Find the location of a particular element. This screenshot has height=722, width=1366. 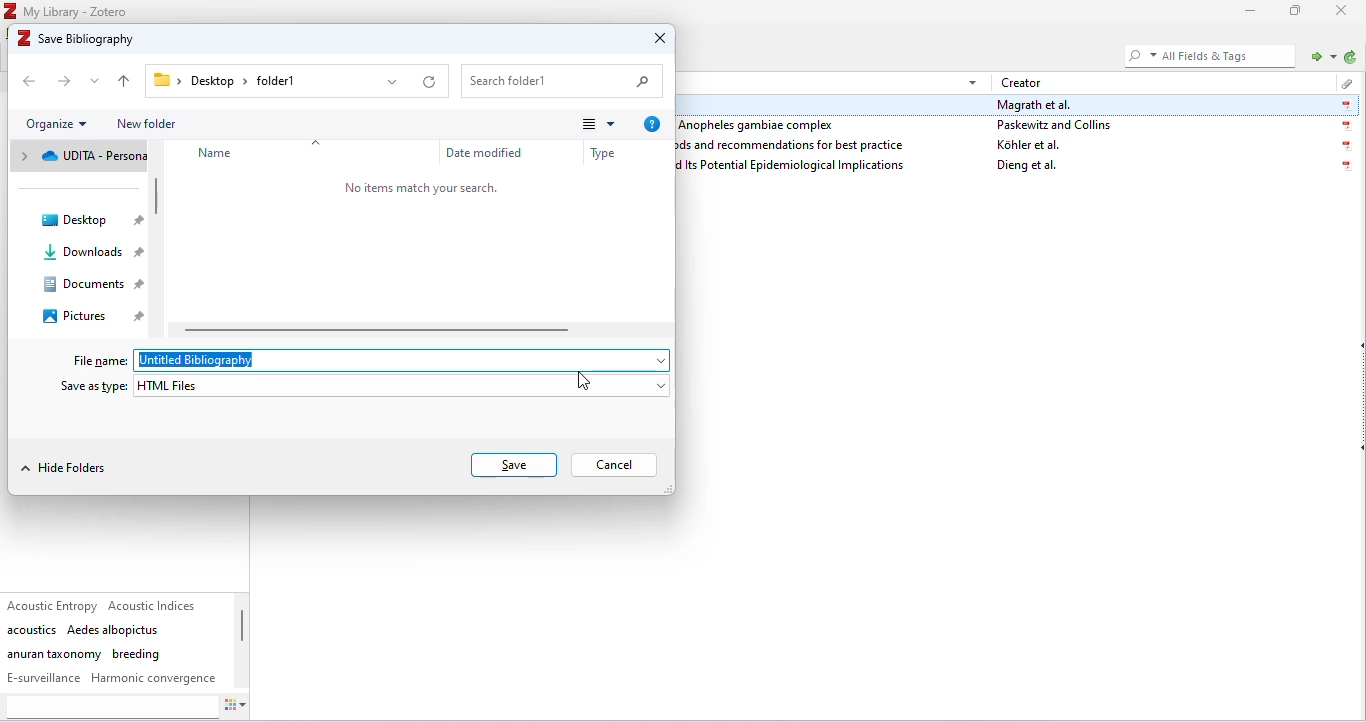

downloads is located at coordinates (92, 252).